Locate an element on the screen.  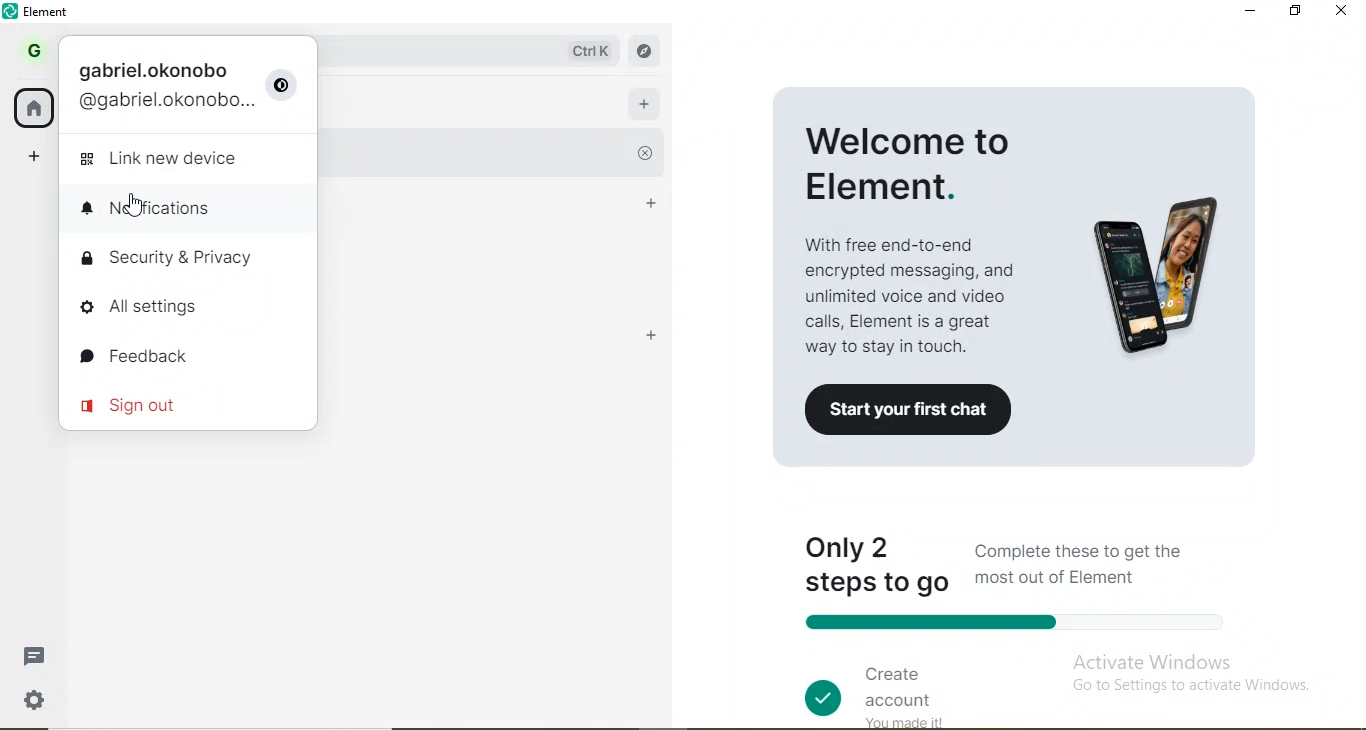
cursor is located at coordinates (137, 204).